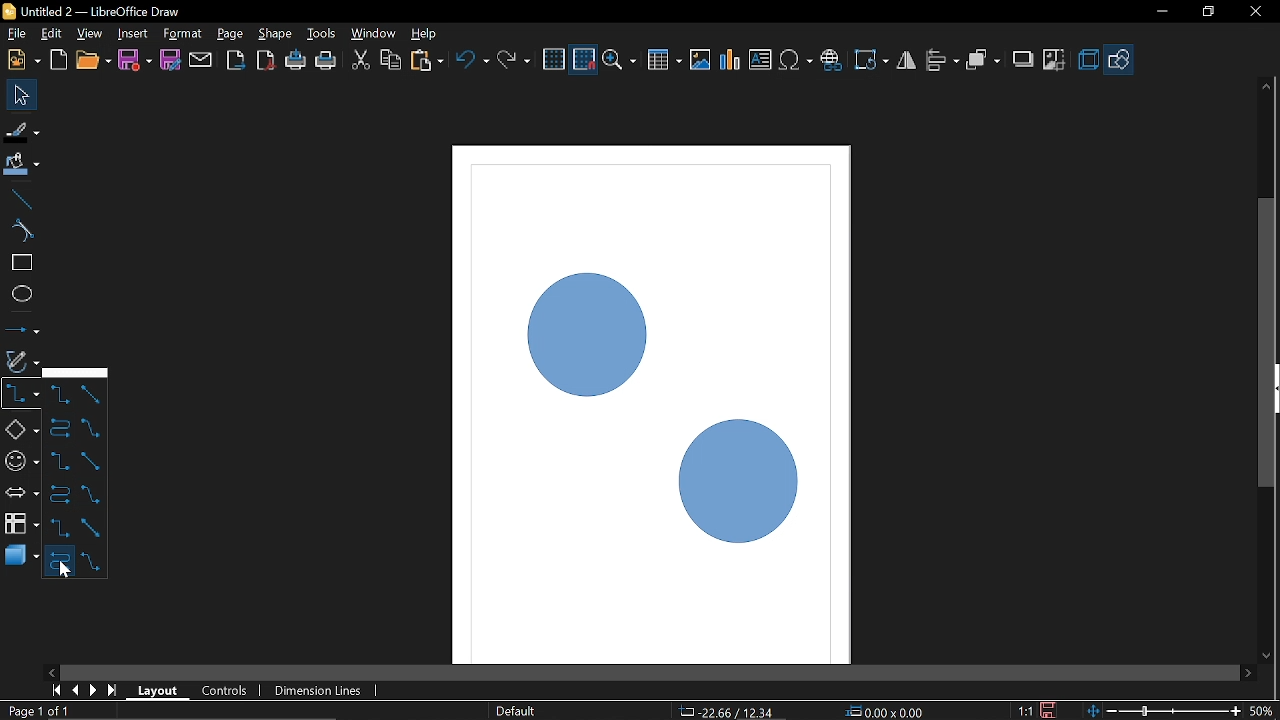 Image resolution: width=1280 pixels, height=720 pixels. Describe the element at coordinates (1262, 710) in the screenshot. I see `Current zoom` at that location.